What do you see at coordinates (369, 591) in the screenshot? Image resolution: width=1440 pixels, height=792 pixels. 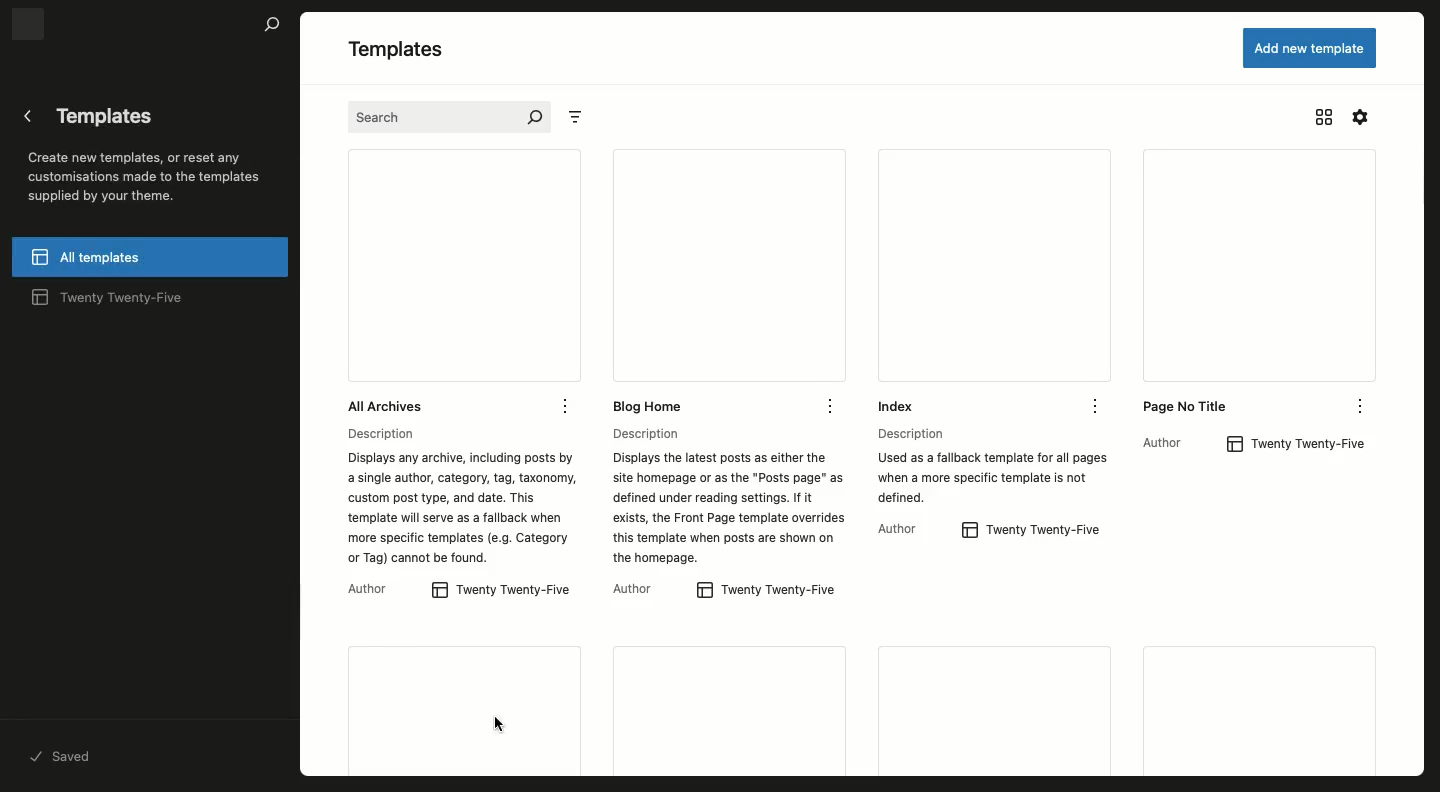 I see `Author` at bounding box center [369, 591].